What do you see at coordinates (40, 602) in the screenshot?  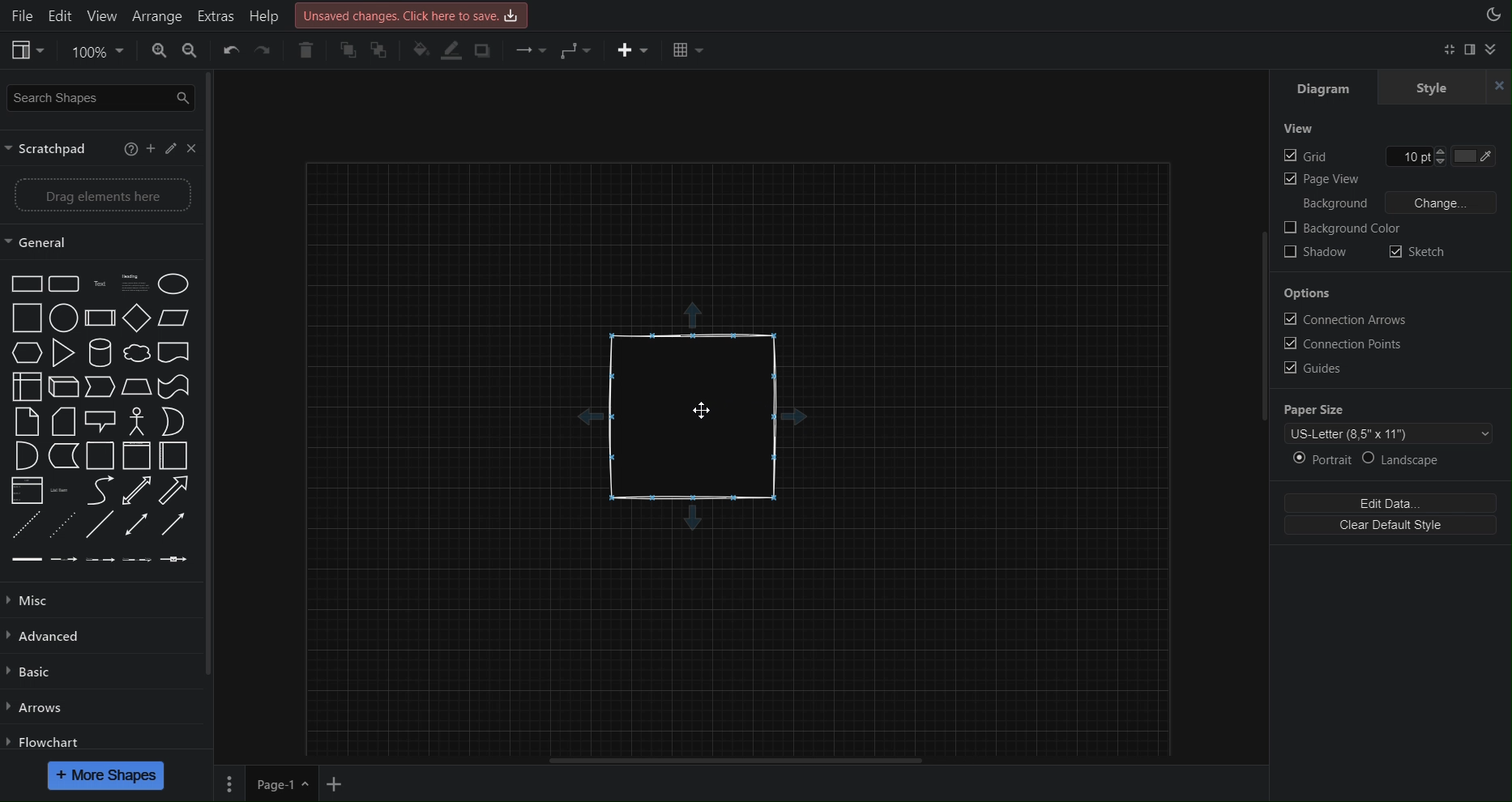 I see `Misc` at bounding box center [40, 602].